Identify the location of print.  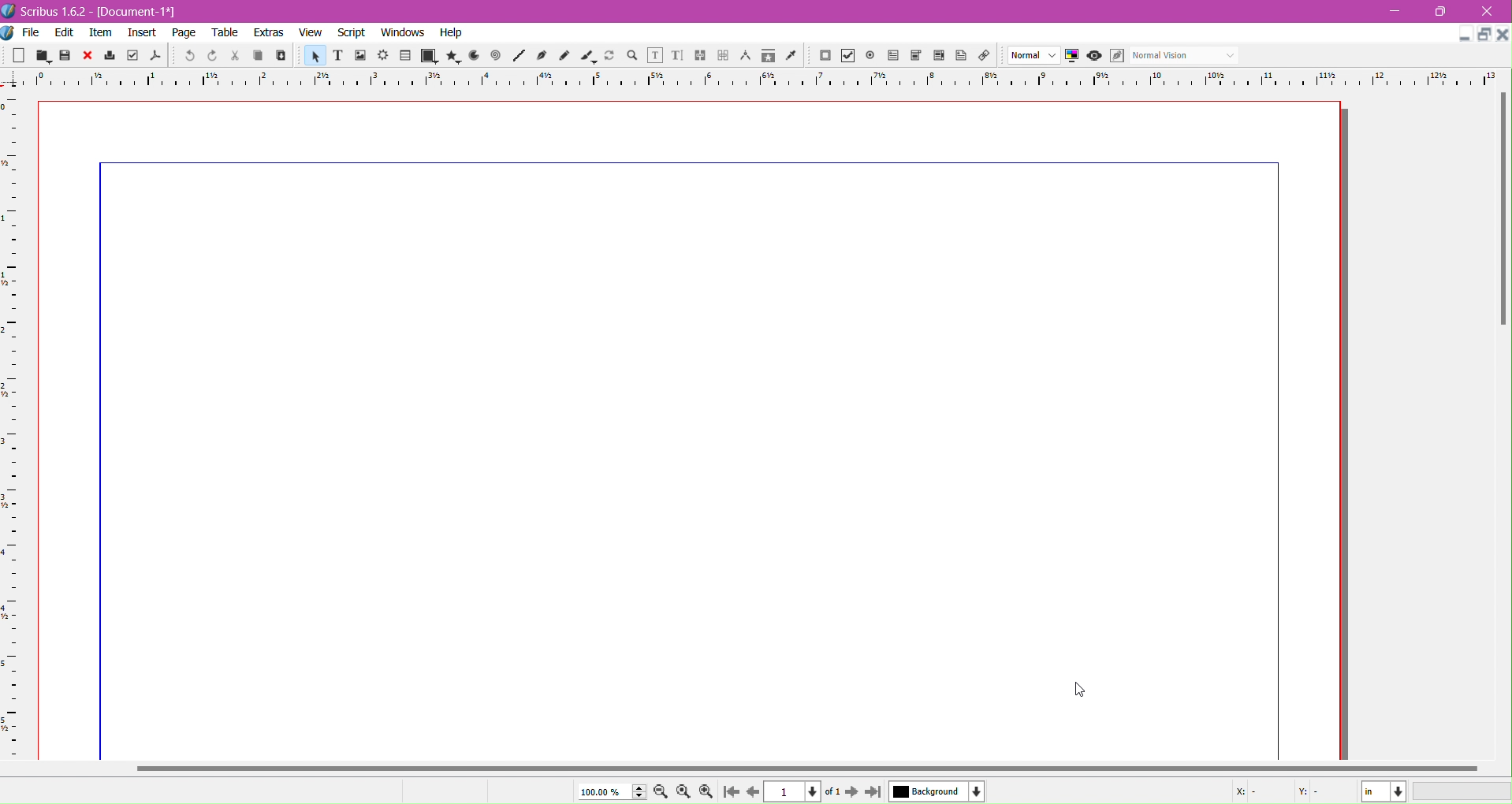
(110, 56).